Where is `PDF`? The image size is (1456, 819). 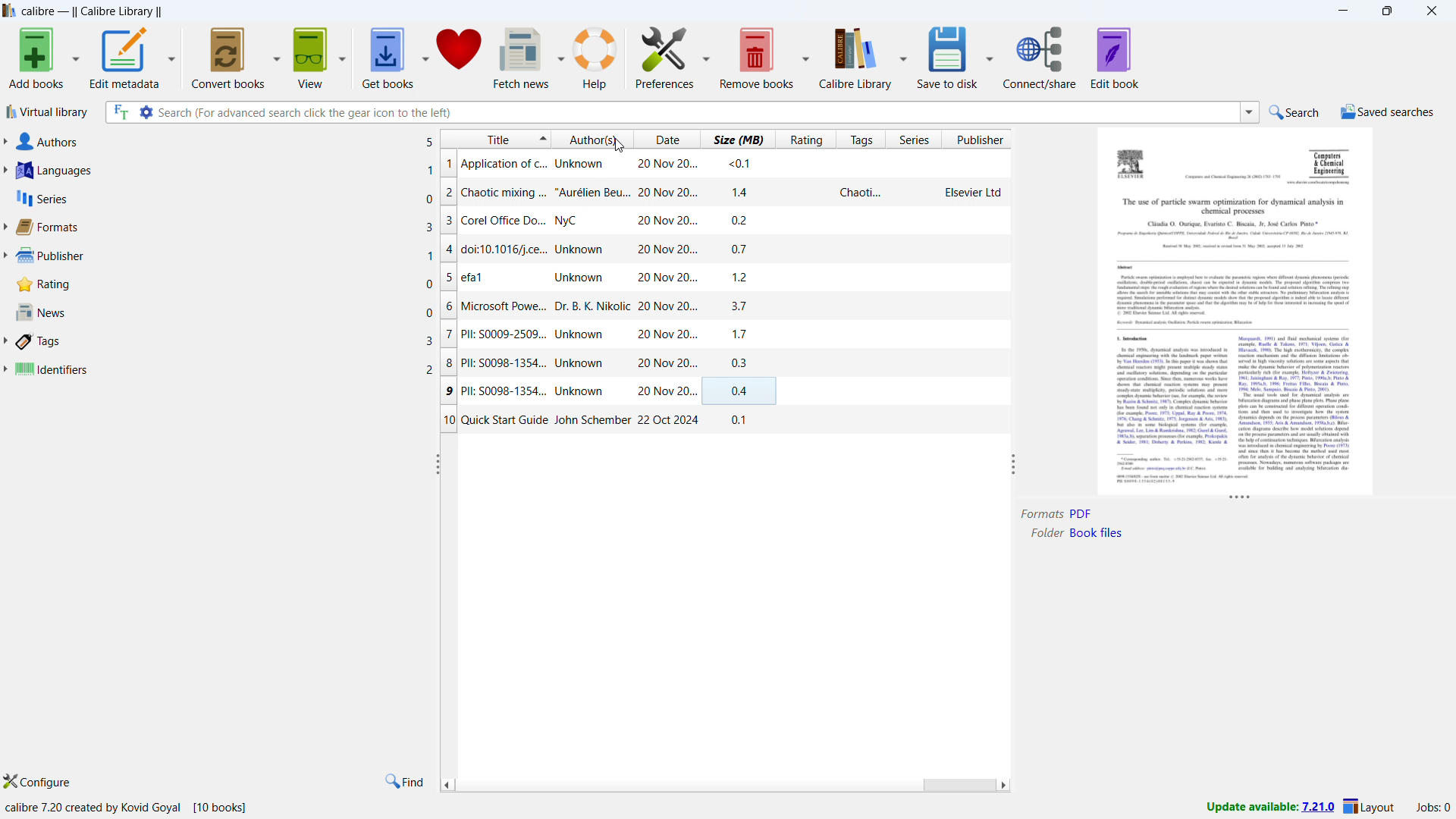
PDF is located at coordinates (1082, 513).